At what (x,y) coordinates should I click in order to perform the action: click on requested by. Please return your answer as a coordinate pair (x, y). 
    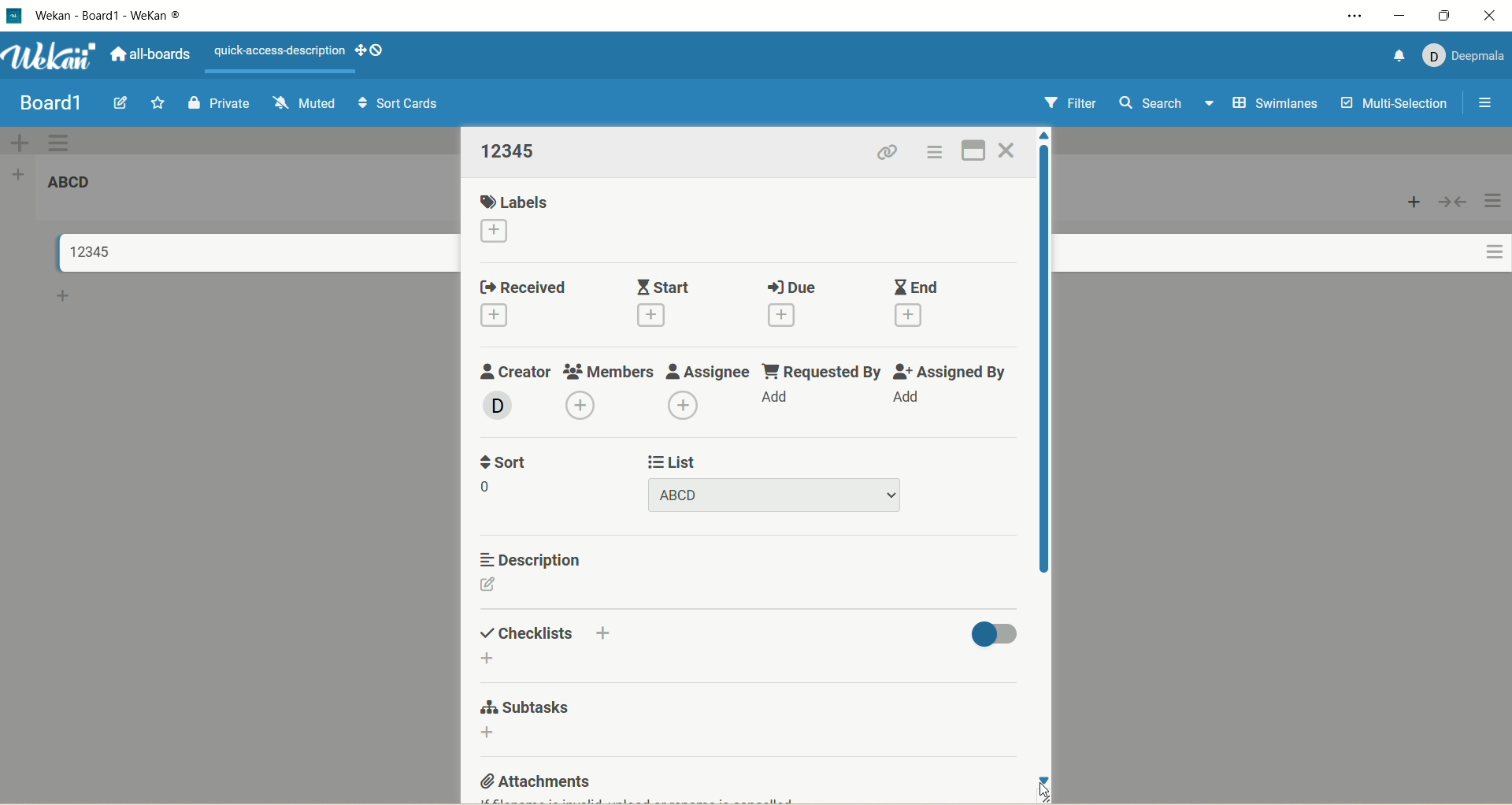
    Looking at the image, I should click on (820, 369).